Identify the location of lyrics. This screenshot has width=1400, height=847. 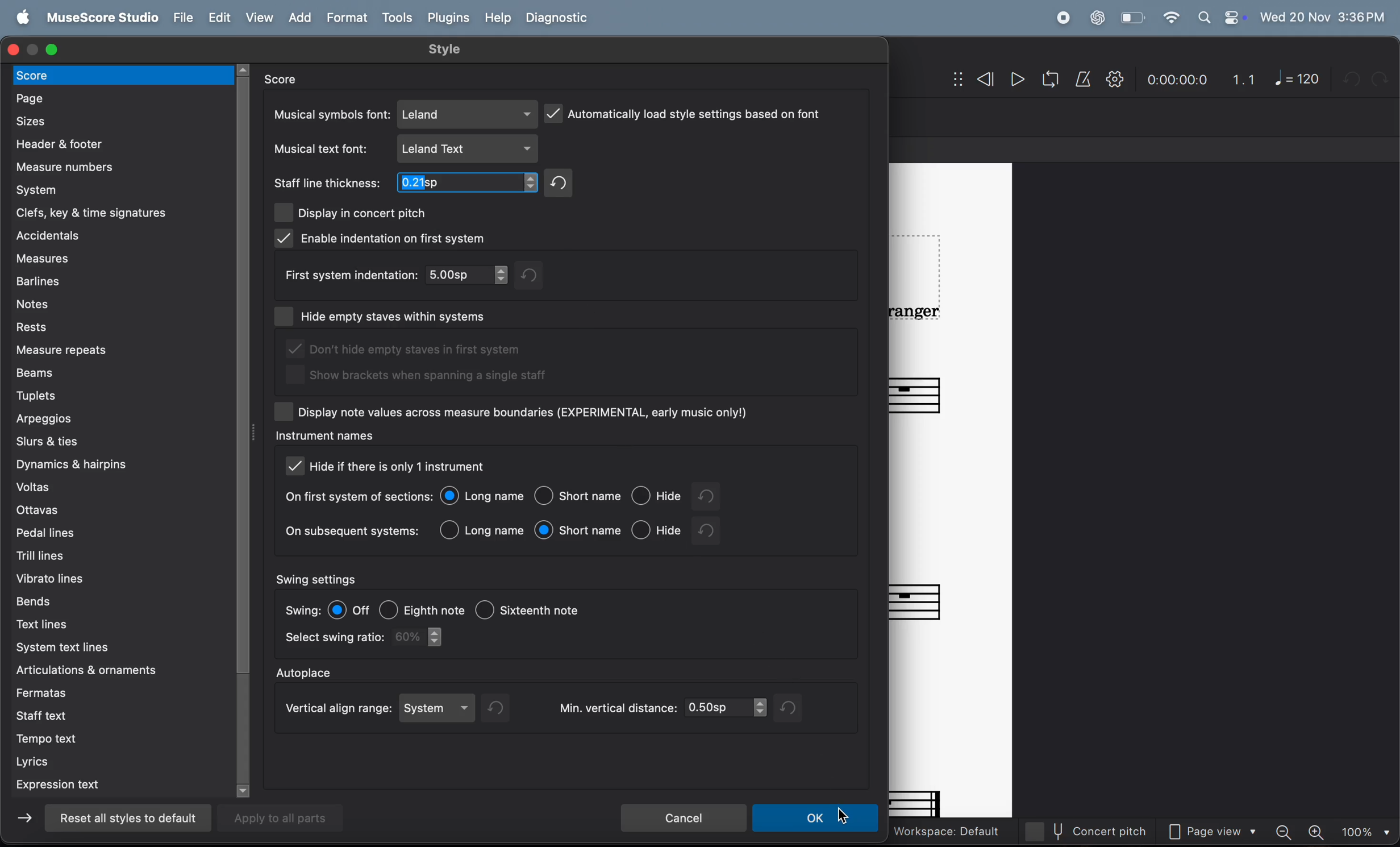
(116, 762).